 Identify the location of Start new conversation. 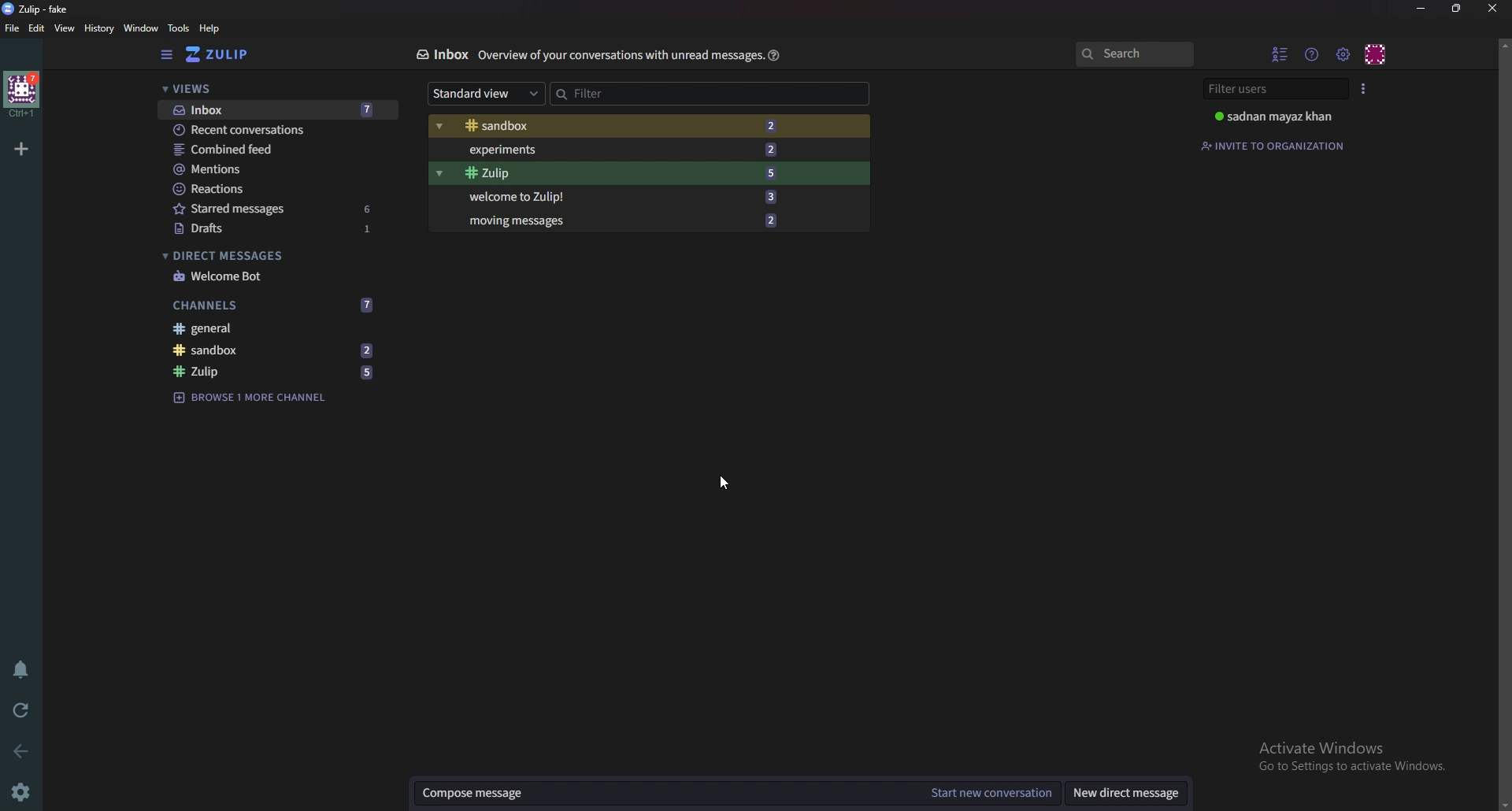
(988, 794).